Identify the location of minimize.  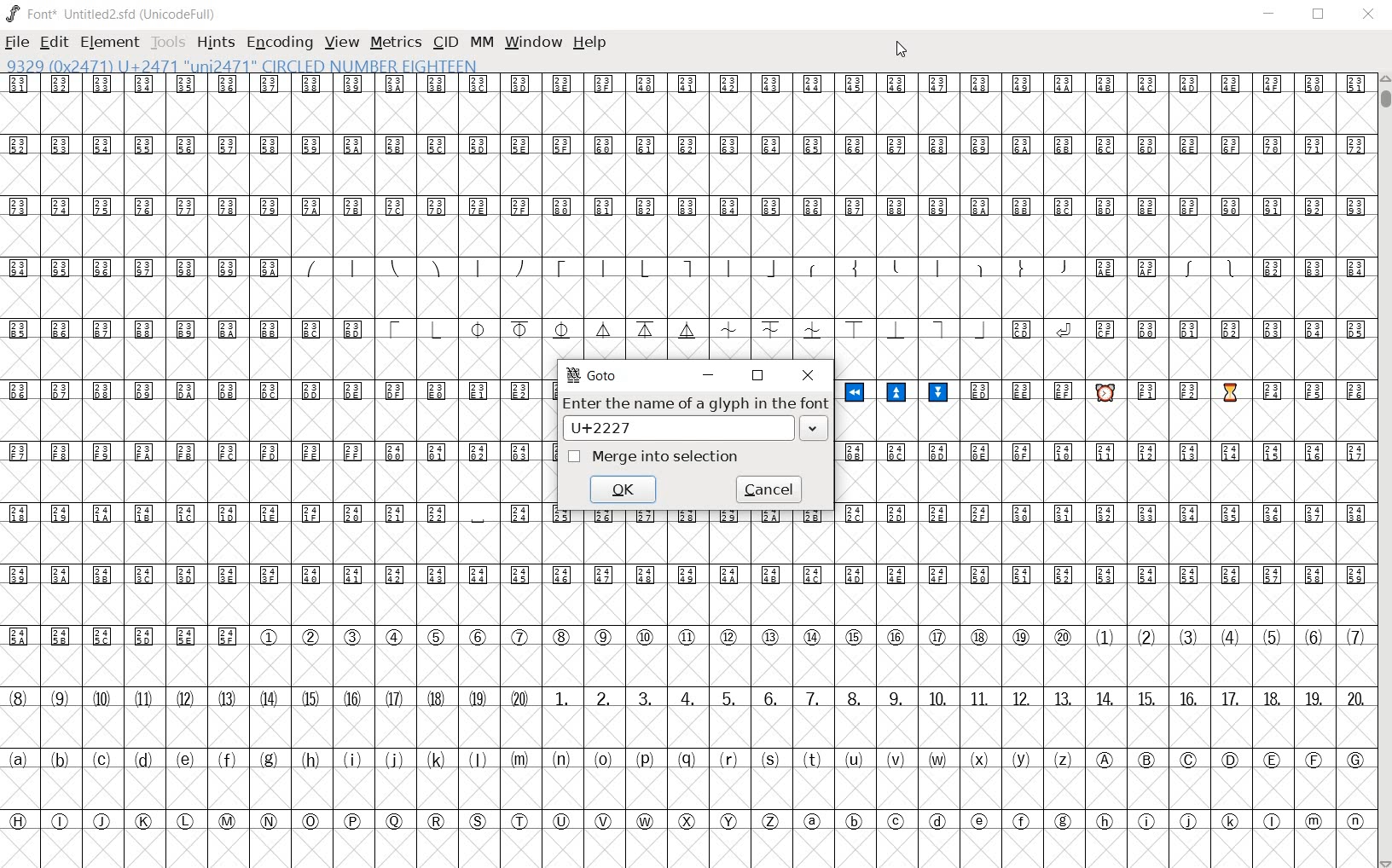
(1272, 15).